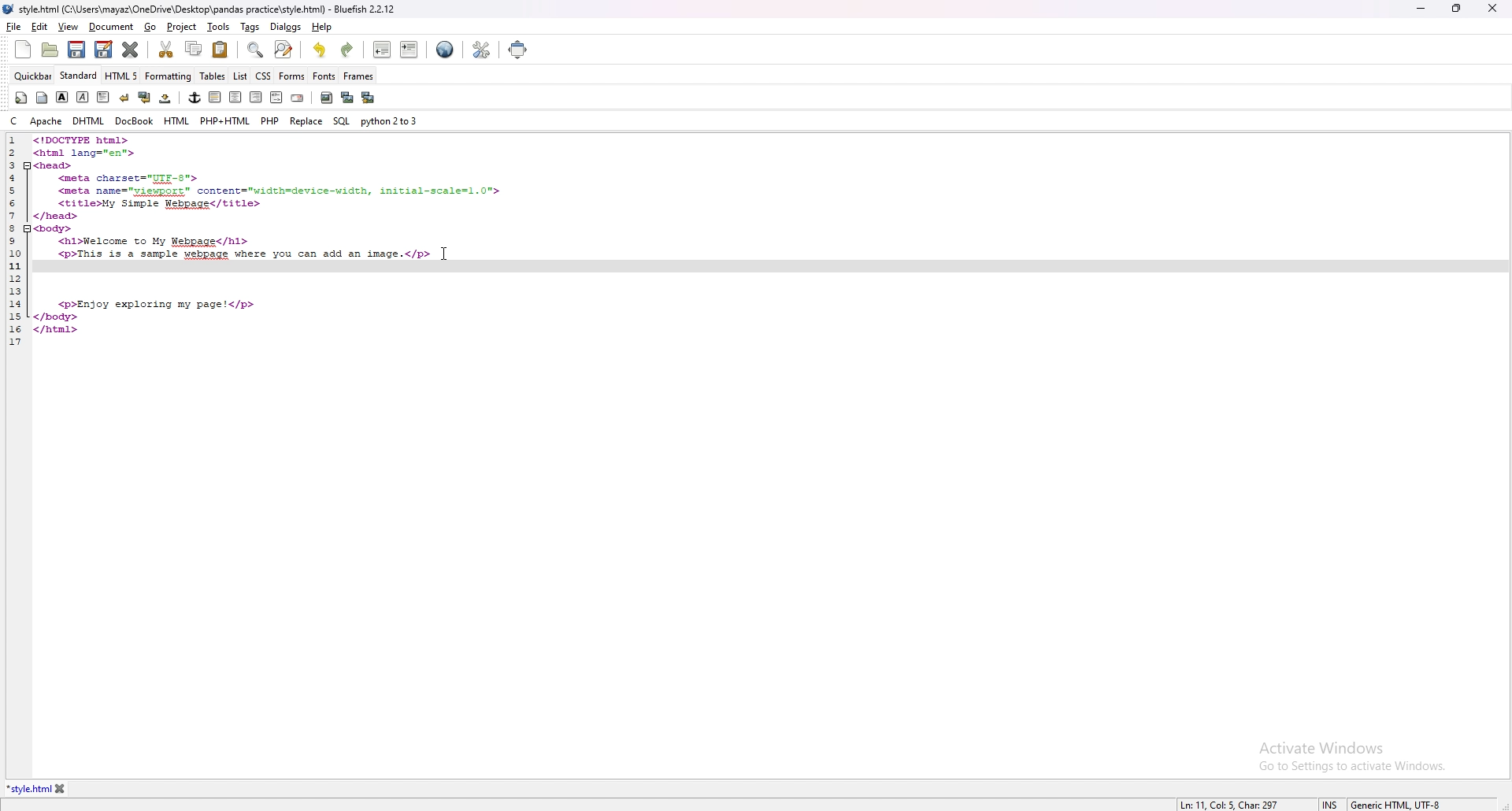 This screenshot has height=811, width=1512. I want to click on standard, so click(79, 76).